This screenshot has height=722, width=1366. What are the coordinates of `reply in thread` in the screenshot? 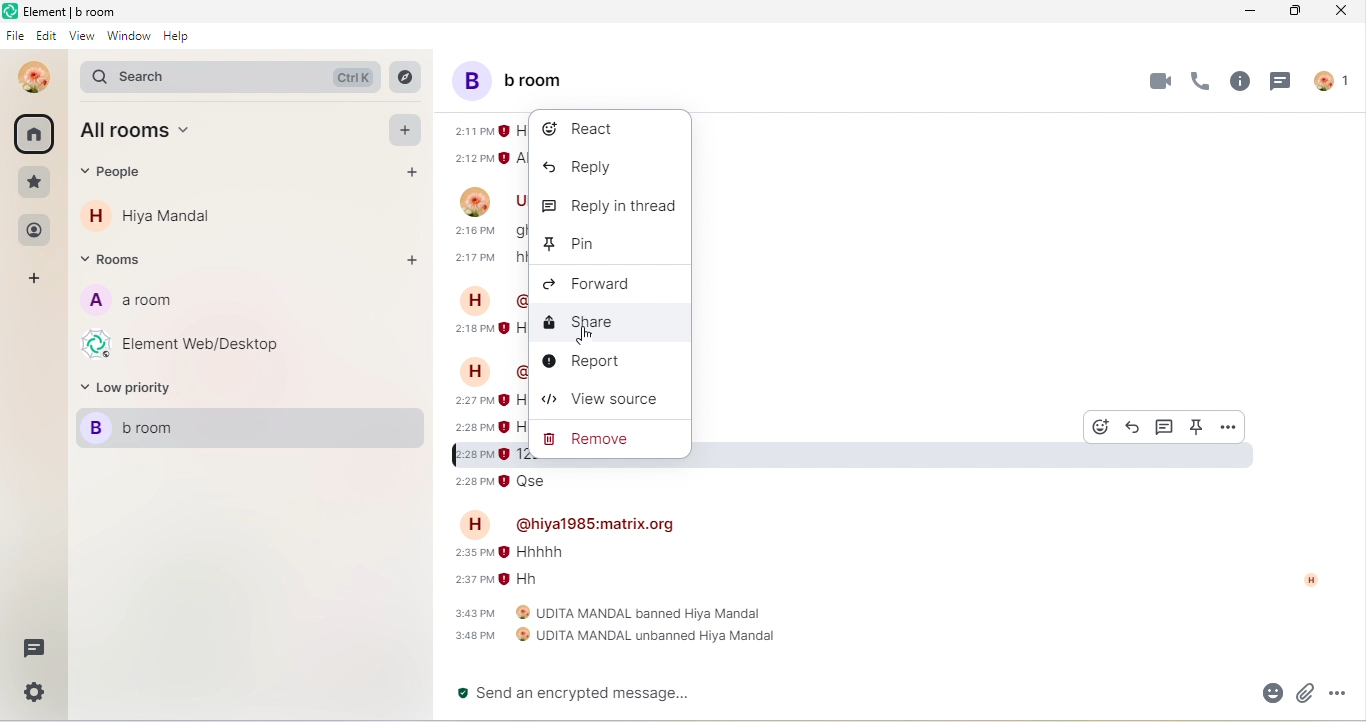 It's located at (609, 203).